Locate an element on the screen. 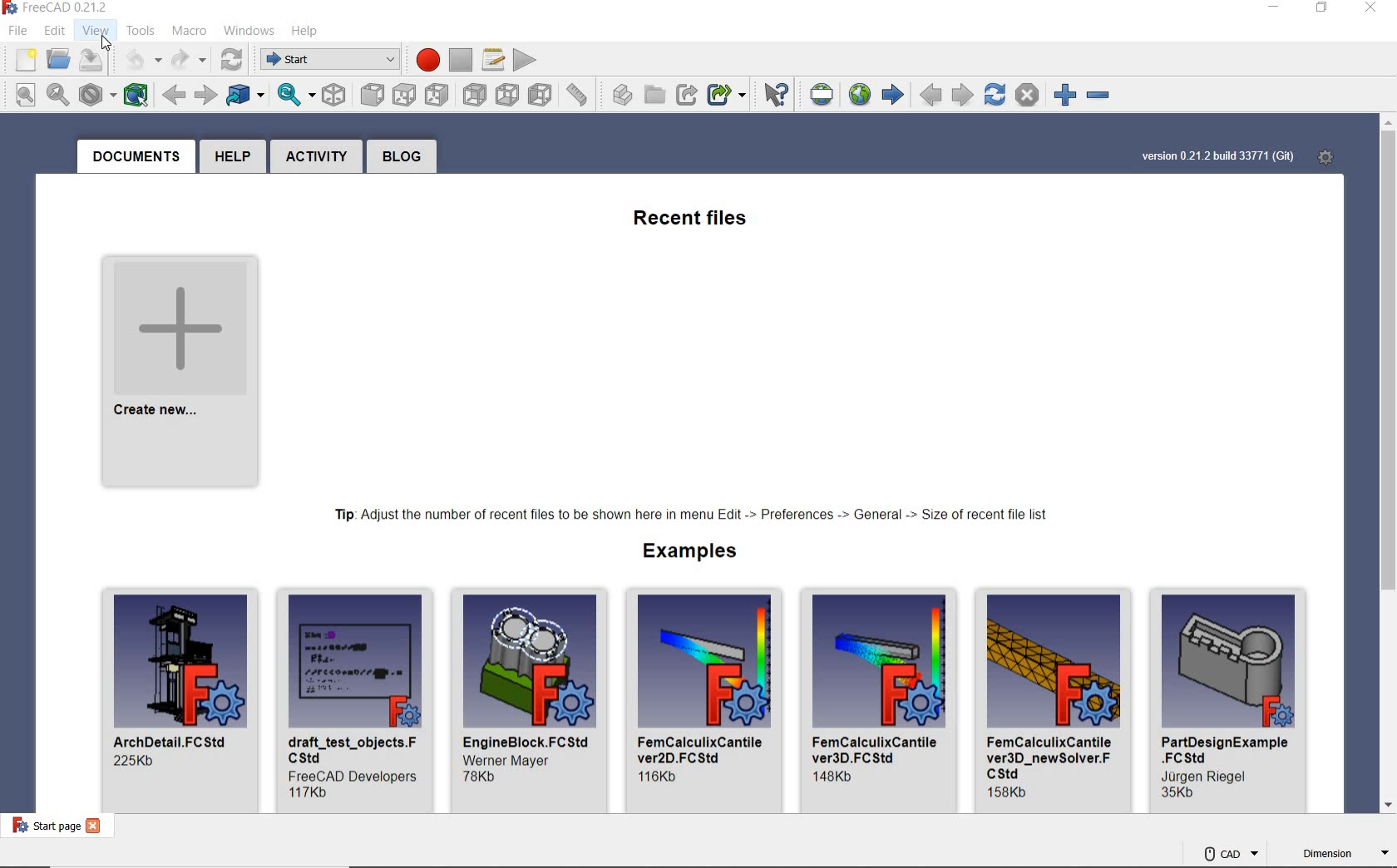  scrollbar is located at coordinates (1388, 466).